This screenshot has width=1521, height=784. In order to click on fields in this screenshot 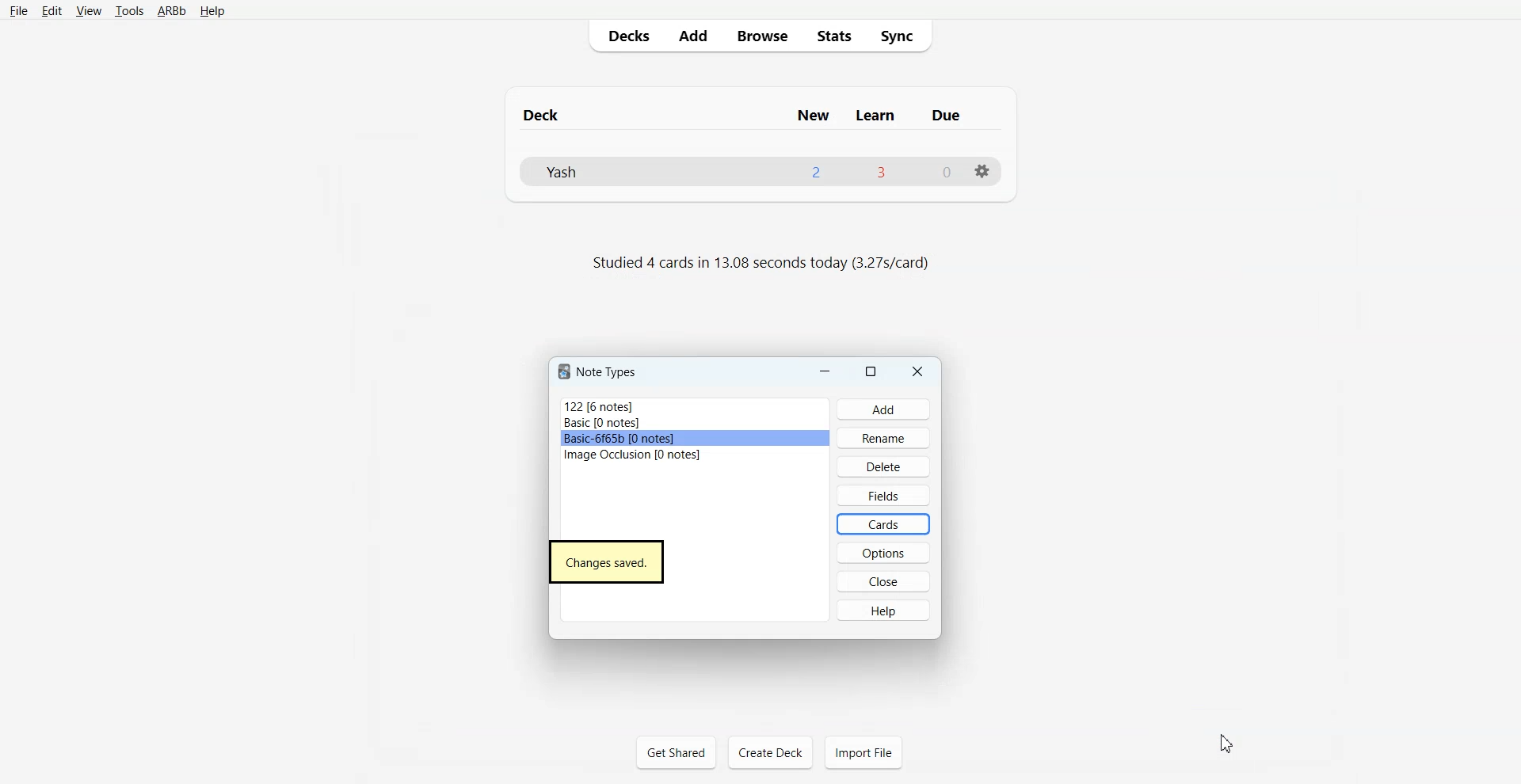, I will do `click(887, 492)`.